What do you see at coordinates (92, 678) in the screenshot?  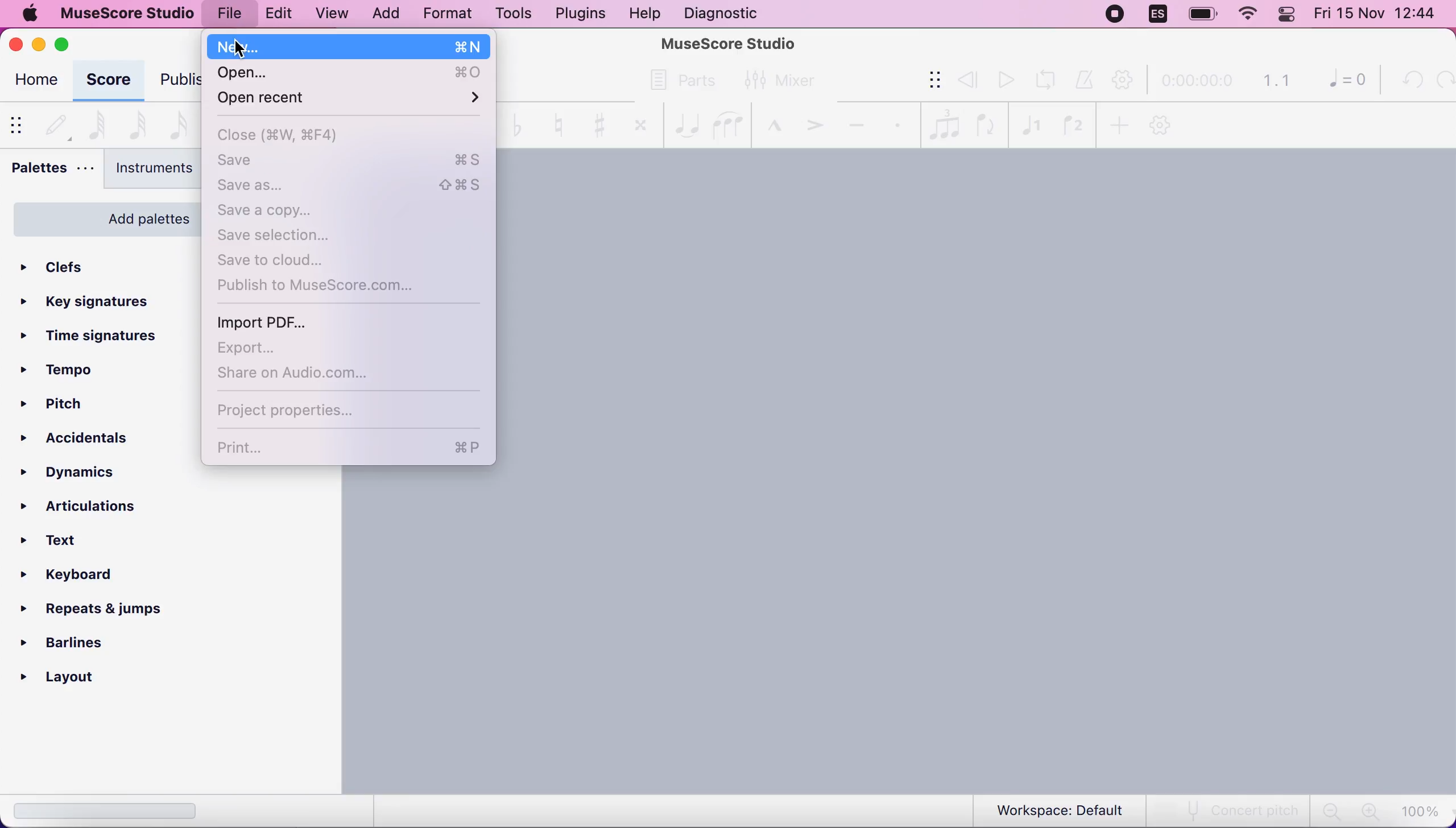 I see `layout` at bounding box center [92, 678].